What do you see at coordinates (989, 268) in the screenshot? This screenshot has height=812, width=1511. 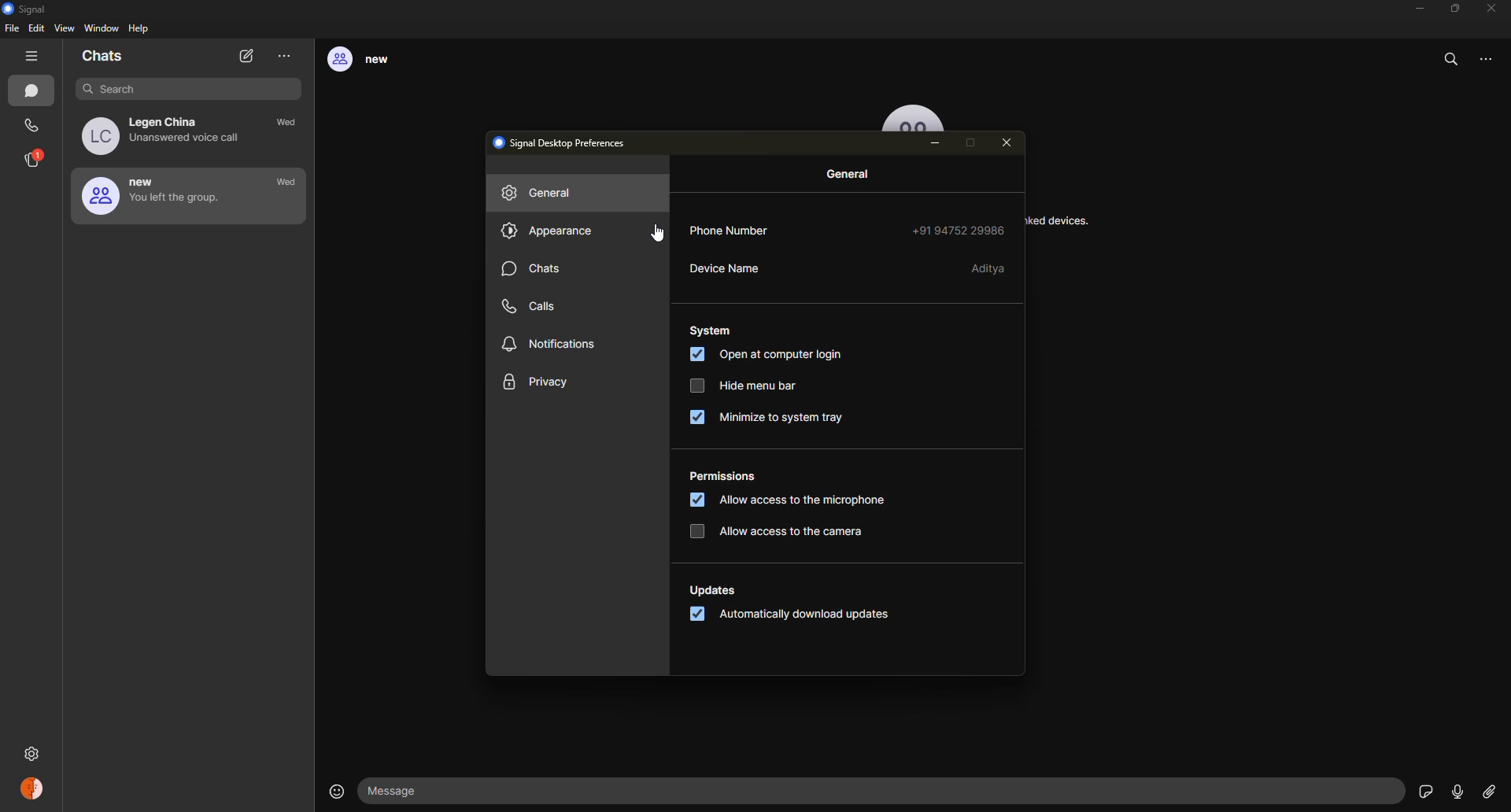 I see `aditya` at bounding box center [989, 268].